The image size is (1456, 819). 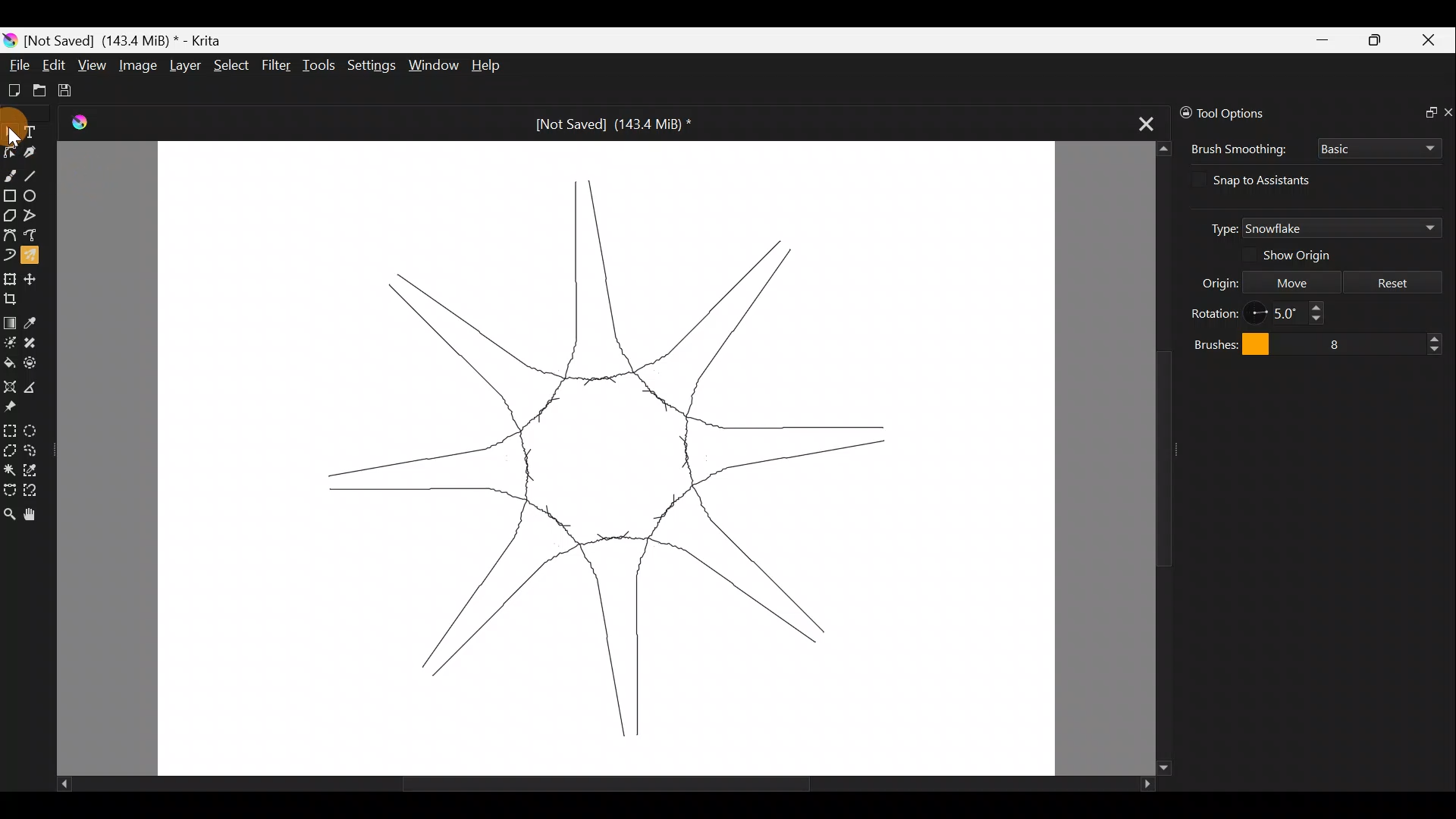 What do you see at coordinates (14, 67) in the screenshot?
I see `File` at bounding box center [14, 67].